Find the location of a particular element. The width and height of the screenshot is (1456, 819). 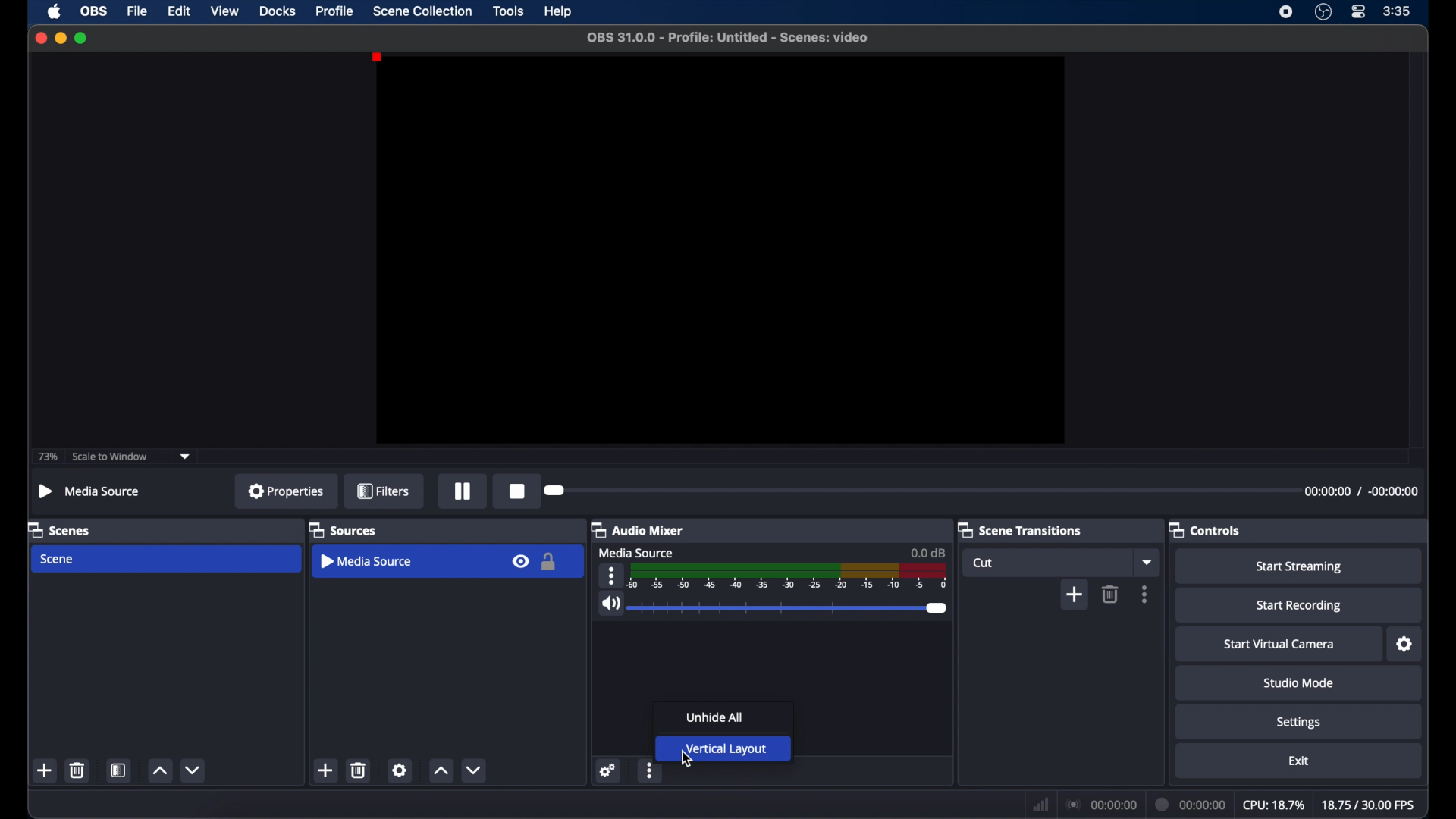

exit is located at coordinates (1298, 760).